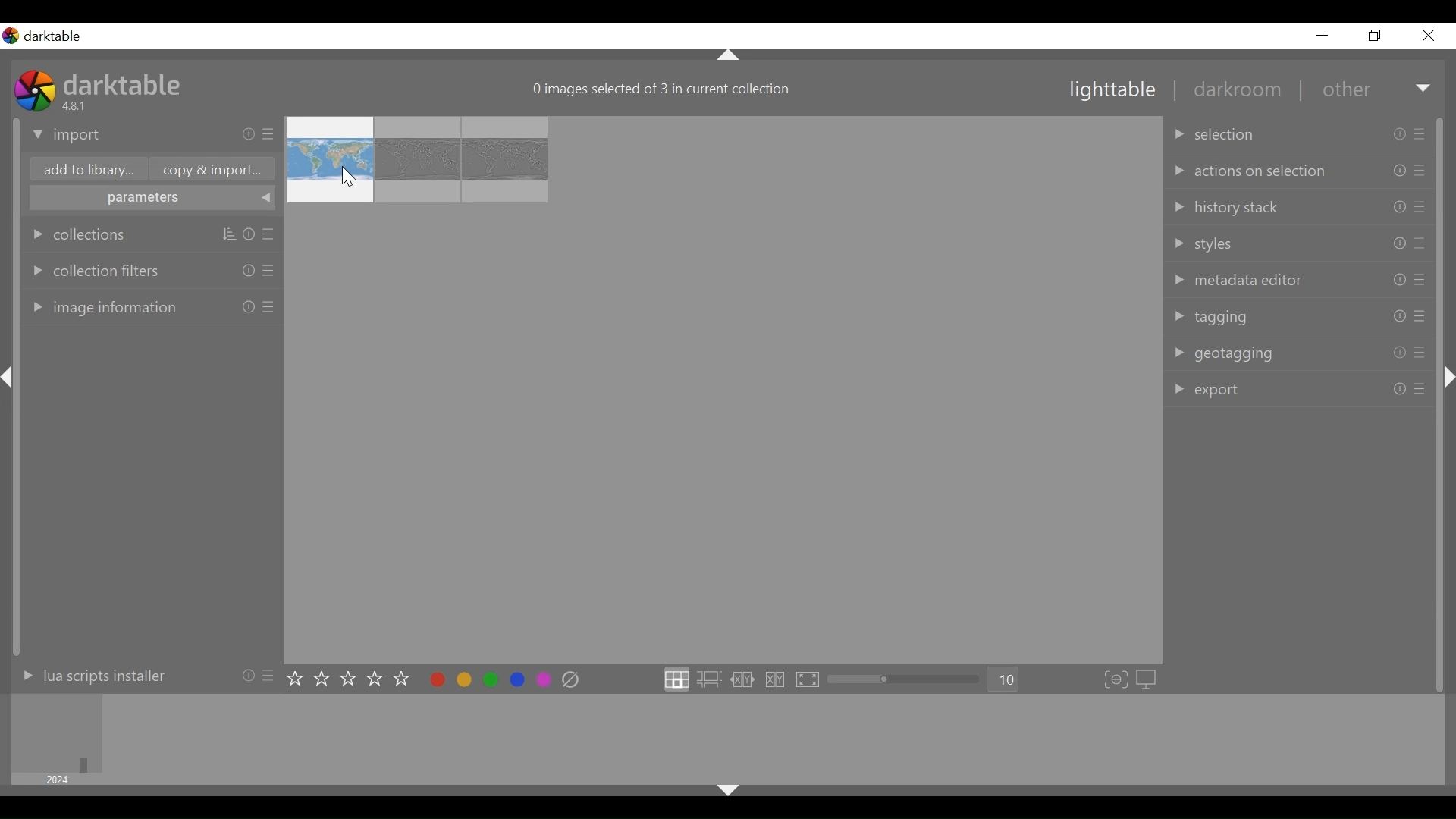 The width and height of the screenshot is (1456, 819). What do you see at coordinates (149, 308) in the screenshot?
I see `image information` at bounding box center [149, 308].